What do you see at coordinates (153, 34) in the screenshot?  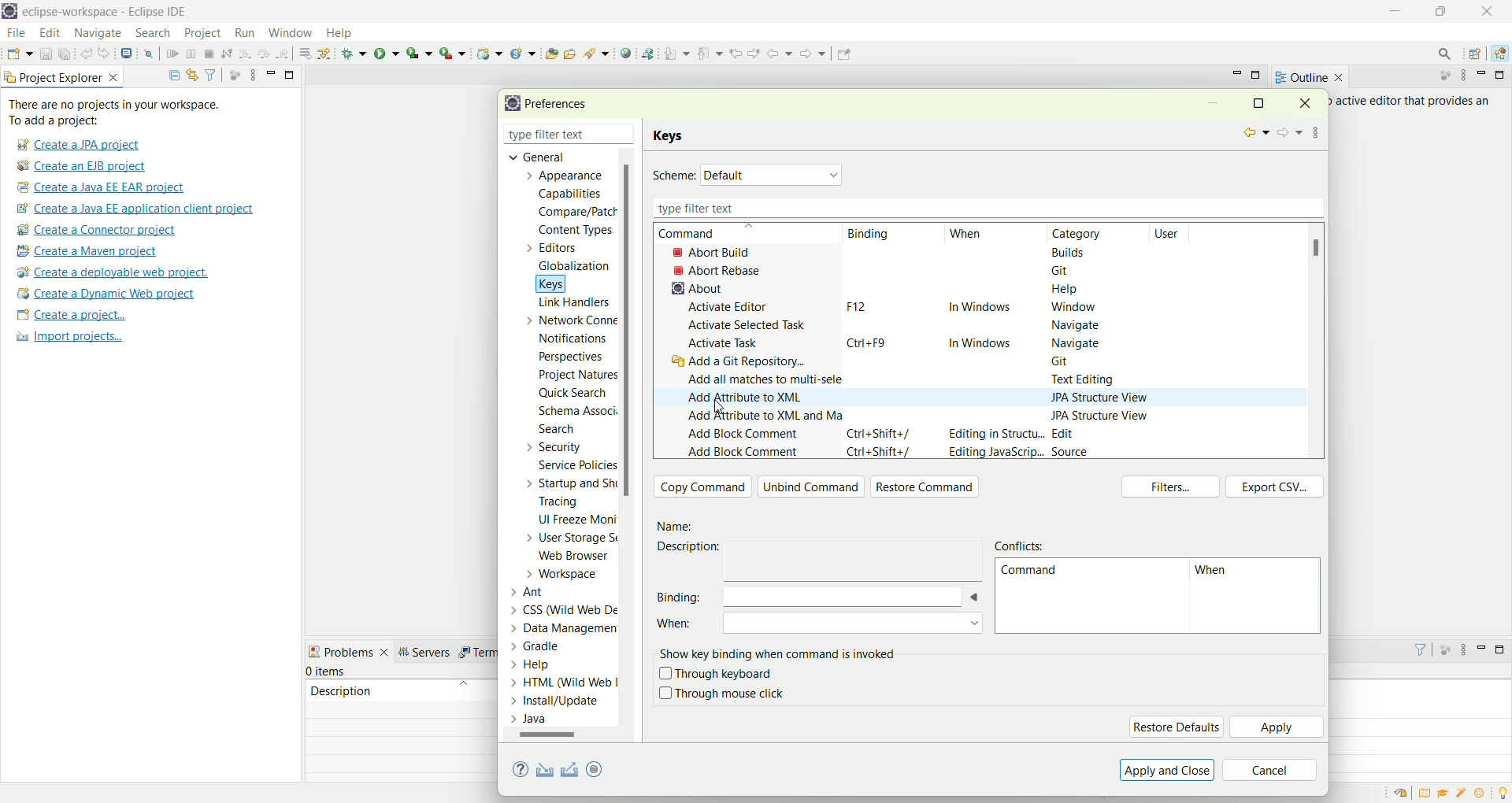 I see `search` at bounding box center [153, 34].